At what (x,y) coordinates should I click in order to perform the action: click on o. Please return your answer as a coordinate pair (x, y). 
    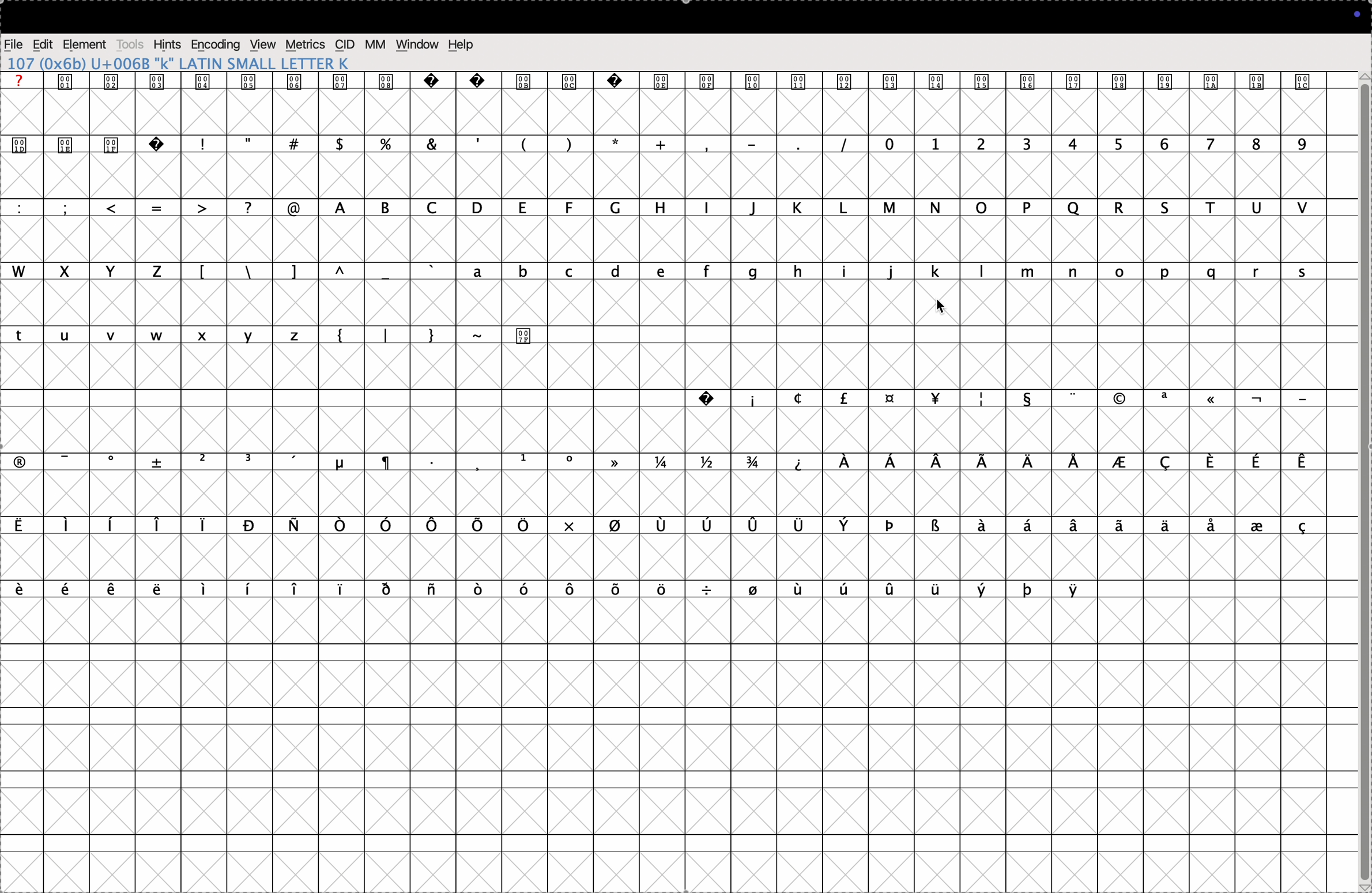
    Looking at the image, I should click on (984, 209).